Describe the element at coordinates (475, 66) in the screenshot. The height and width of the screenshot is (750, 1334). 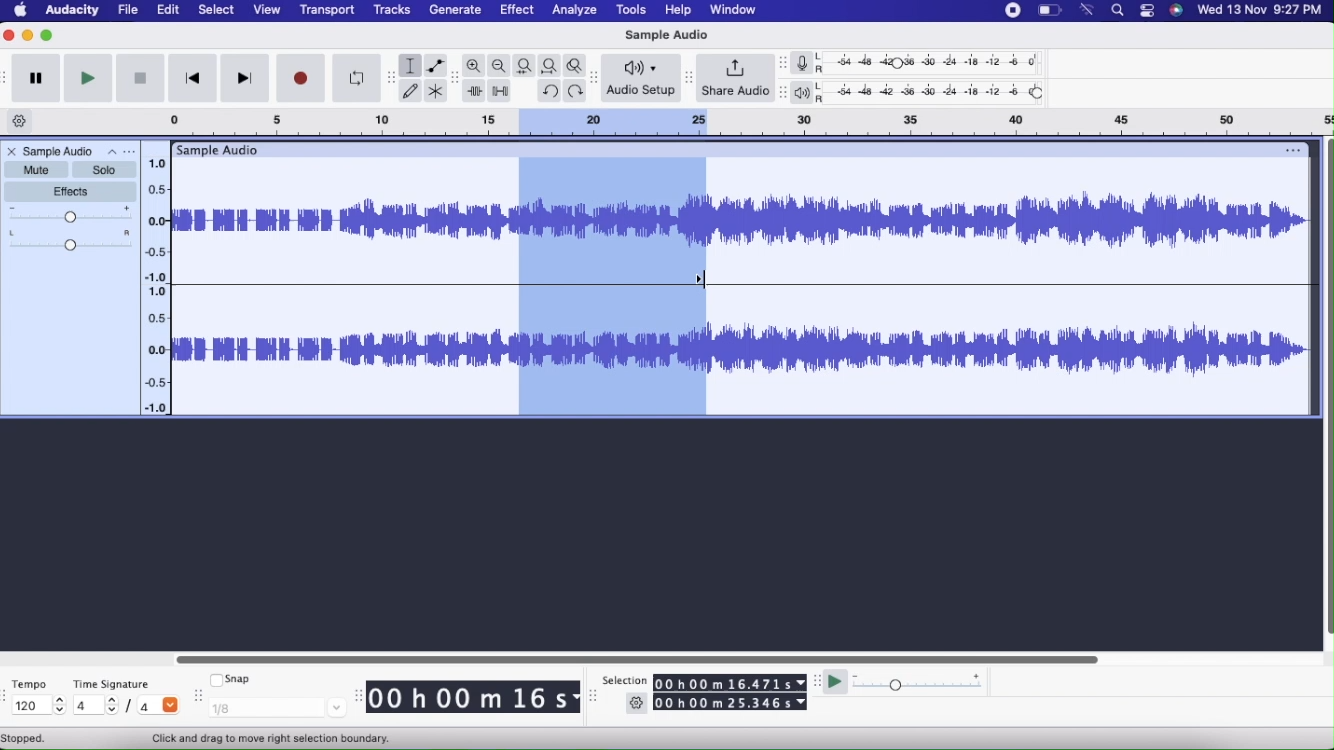
I see `Zoom` at that location.